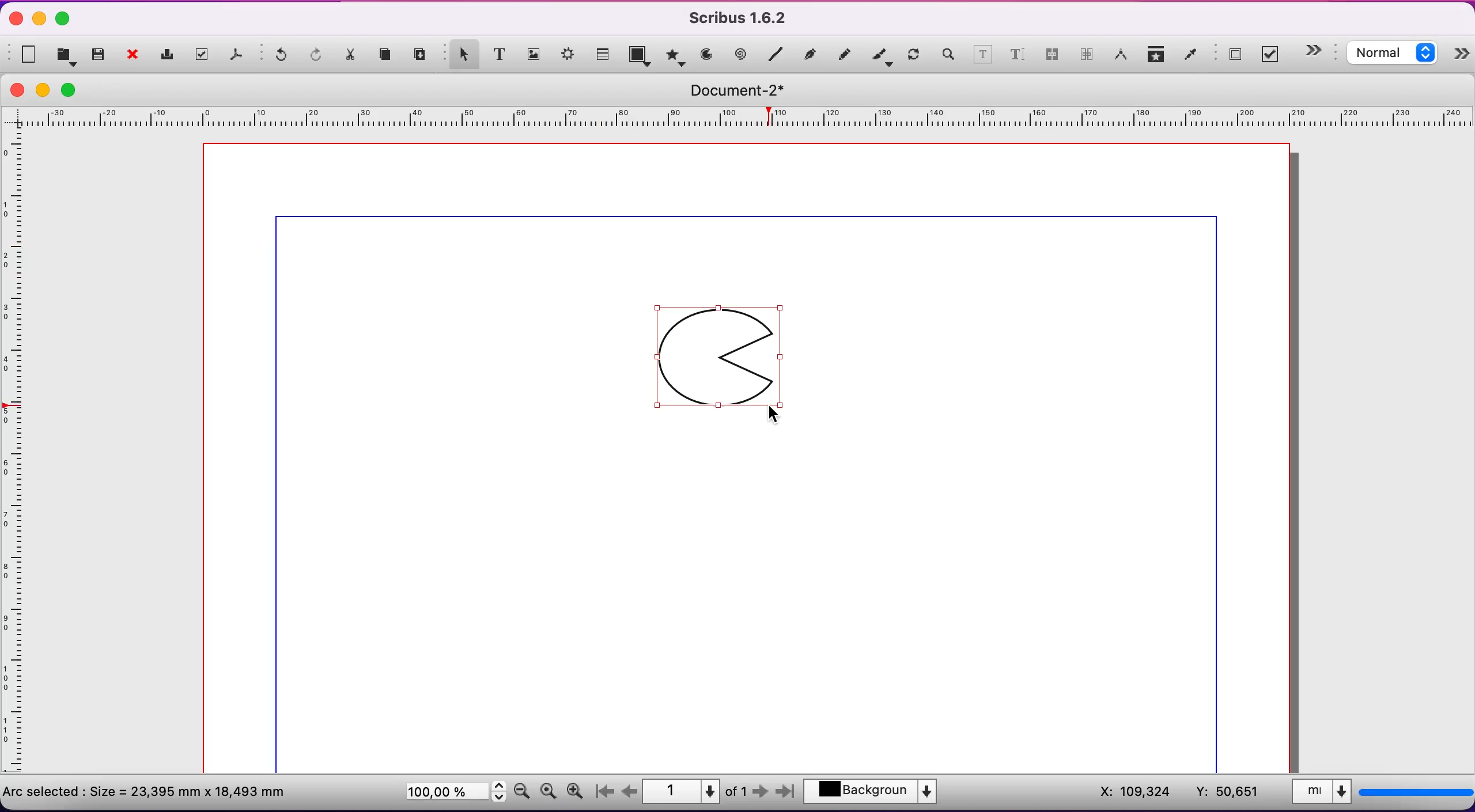 The width and height of the screenshot is (1475, 812). What do you see at coordinates (947, 56) in the screenshot?
I see `zoom in or zoom out` at bounding box center [947, 56].